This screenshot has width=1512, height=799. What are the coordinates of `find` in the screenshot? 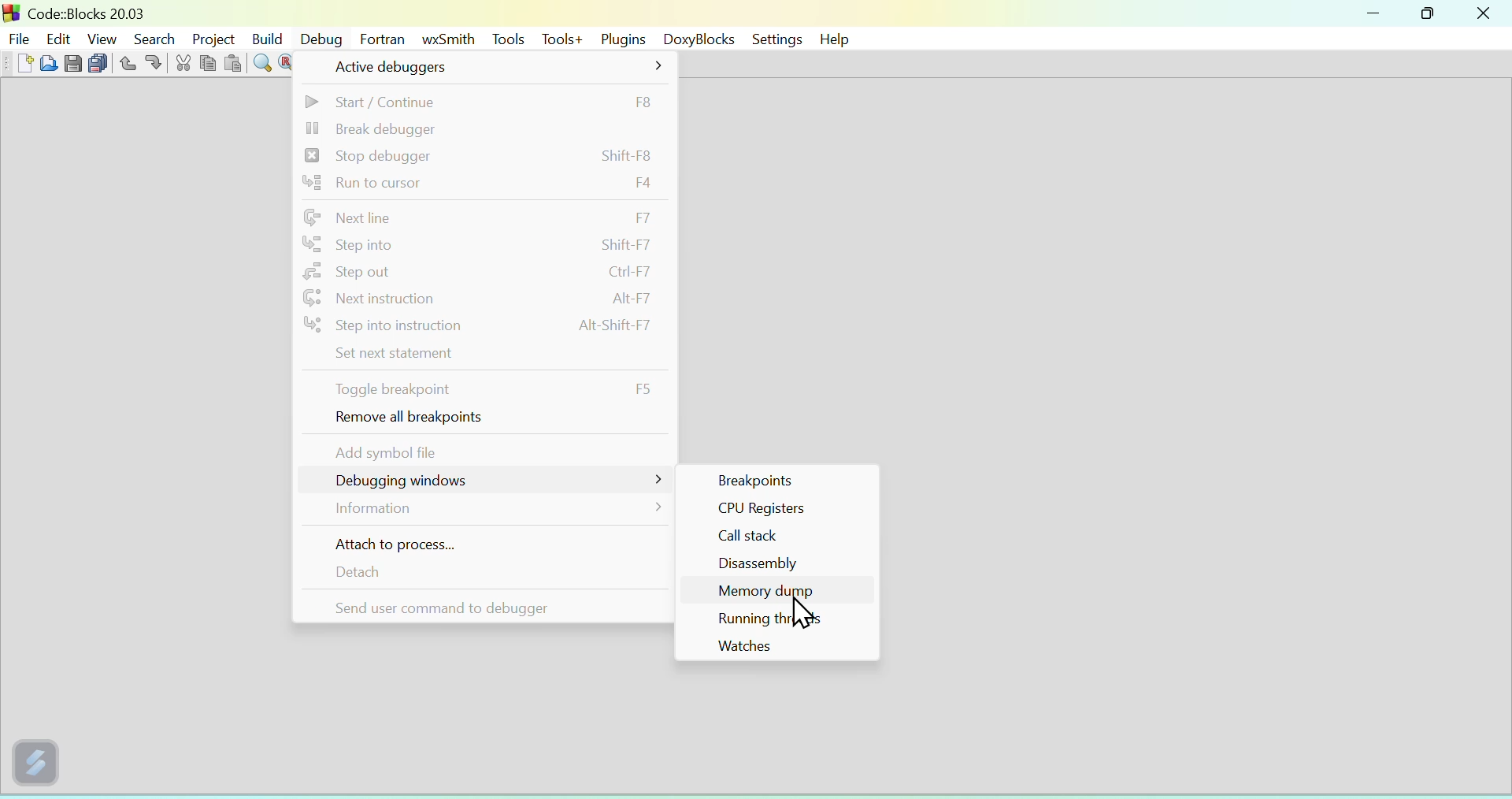 It's located at (261, 64).